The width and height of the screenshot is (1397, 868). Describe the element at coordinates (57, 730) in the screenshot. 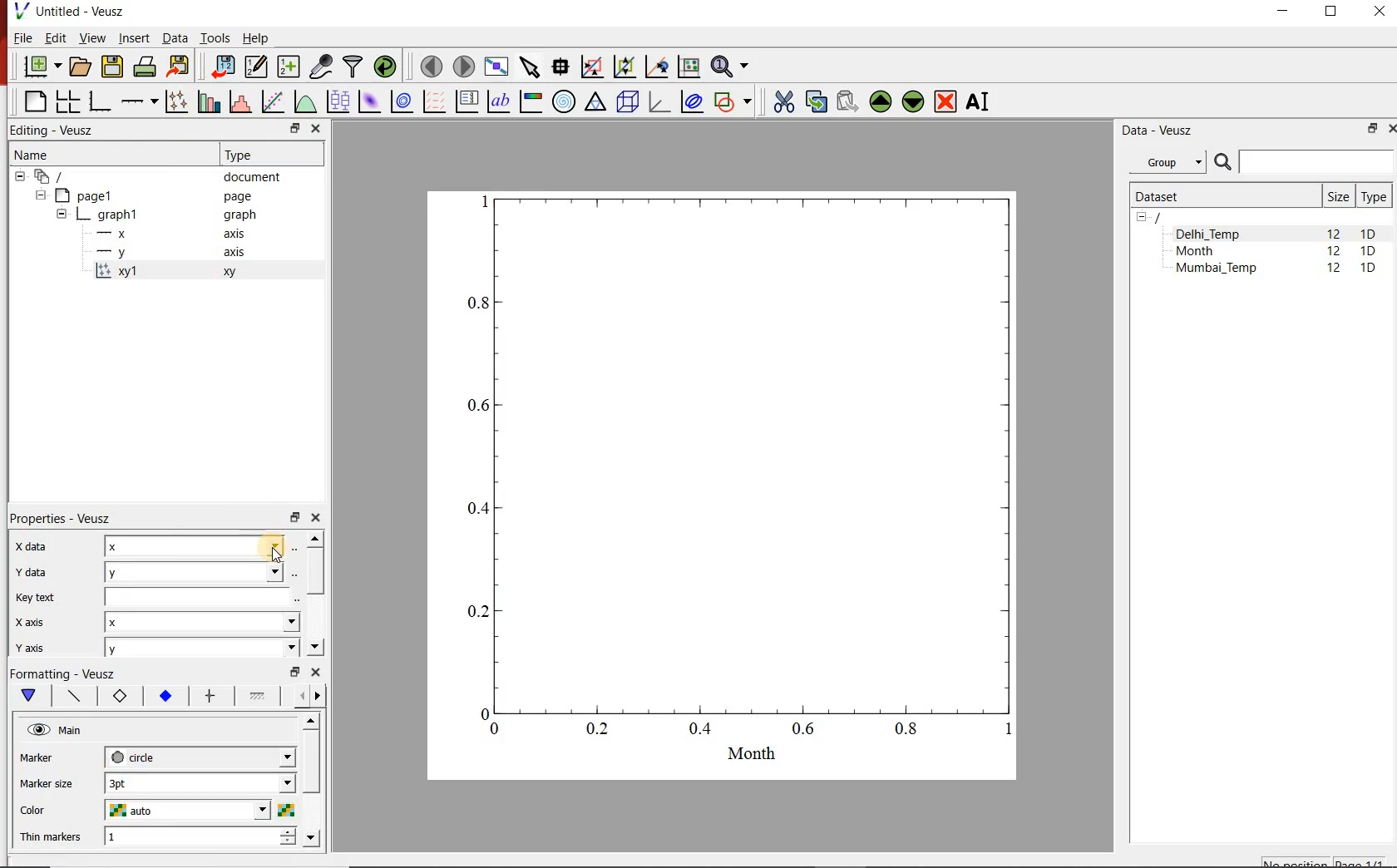

I see `Main` at that location.